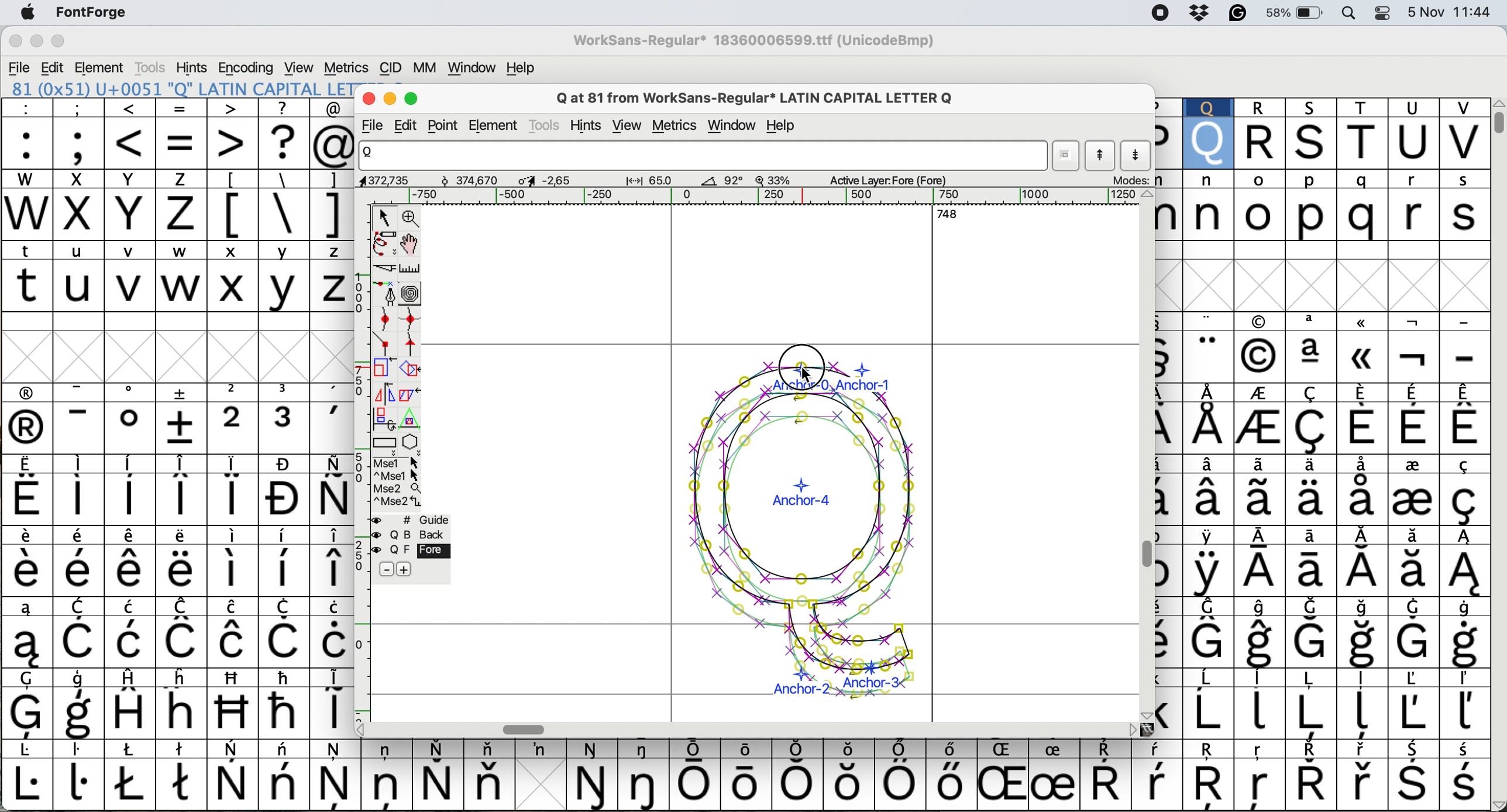  Describe the element at coordinates (800, 369) in the screenshot. I see `cursor` at that location.